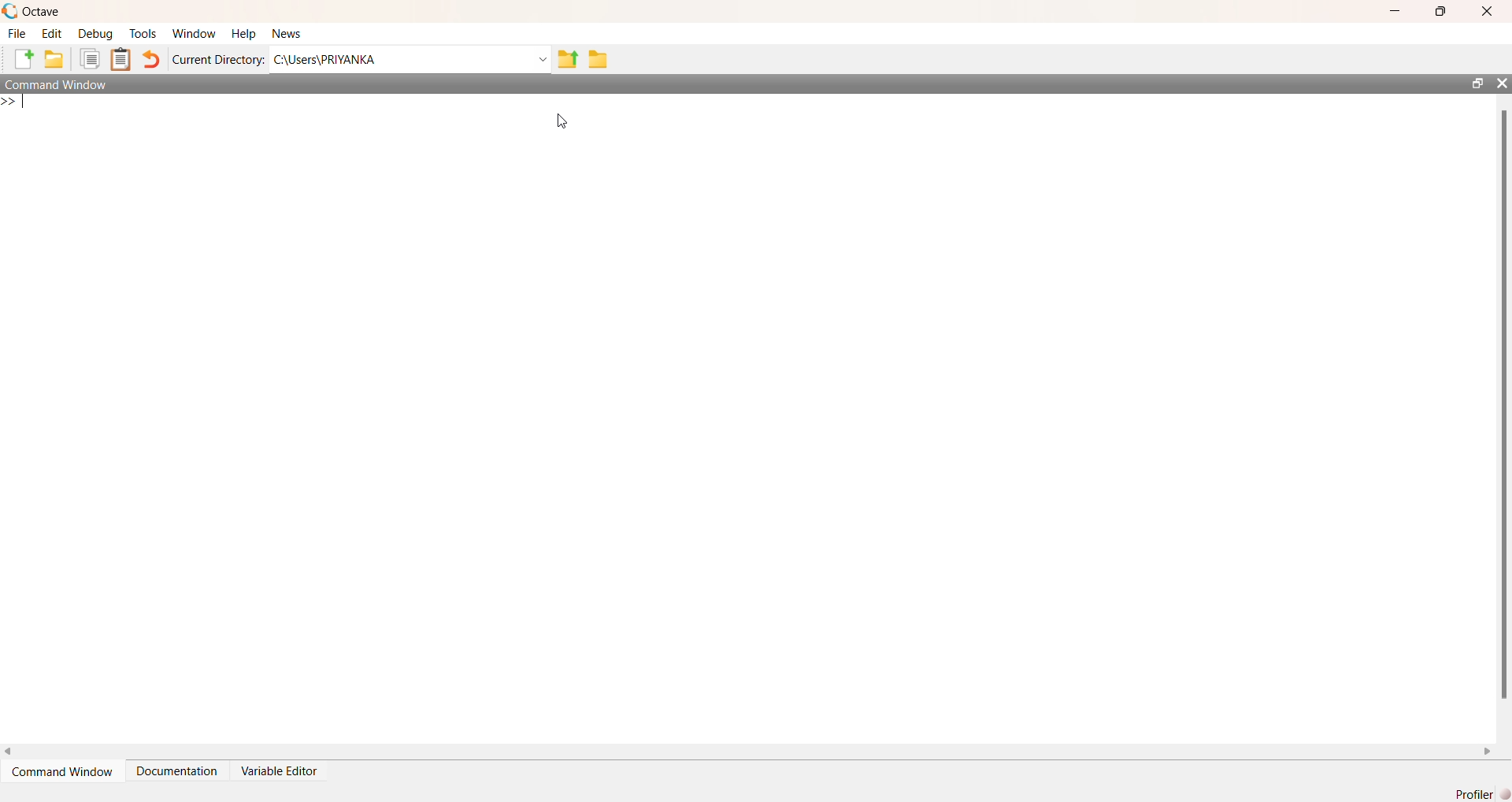  Describe the element at coordinates (1395, 12) in the screenshot. I see `minimize` at that location.